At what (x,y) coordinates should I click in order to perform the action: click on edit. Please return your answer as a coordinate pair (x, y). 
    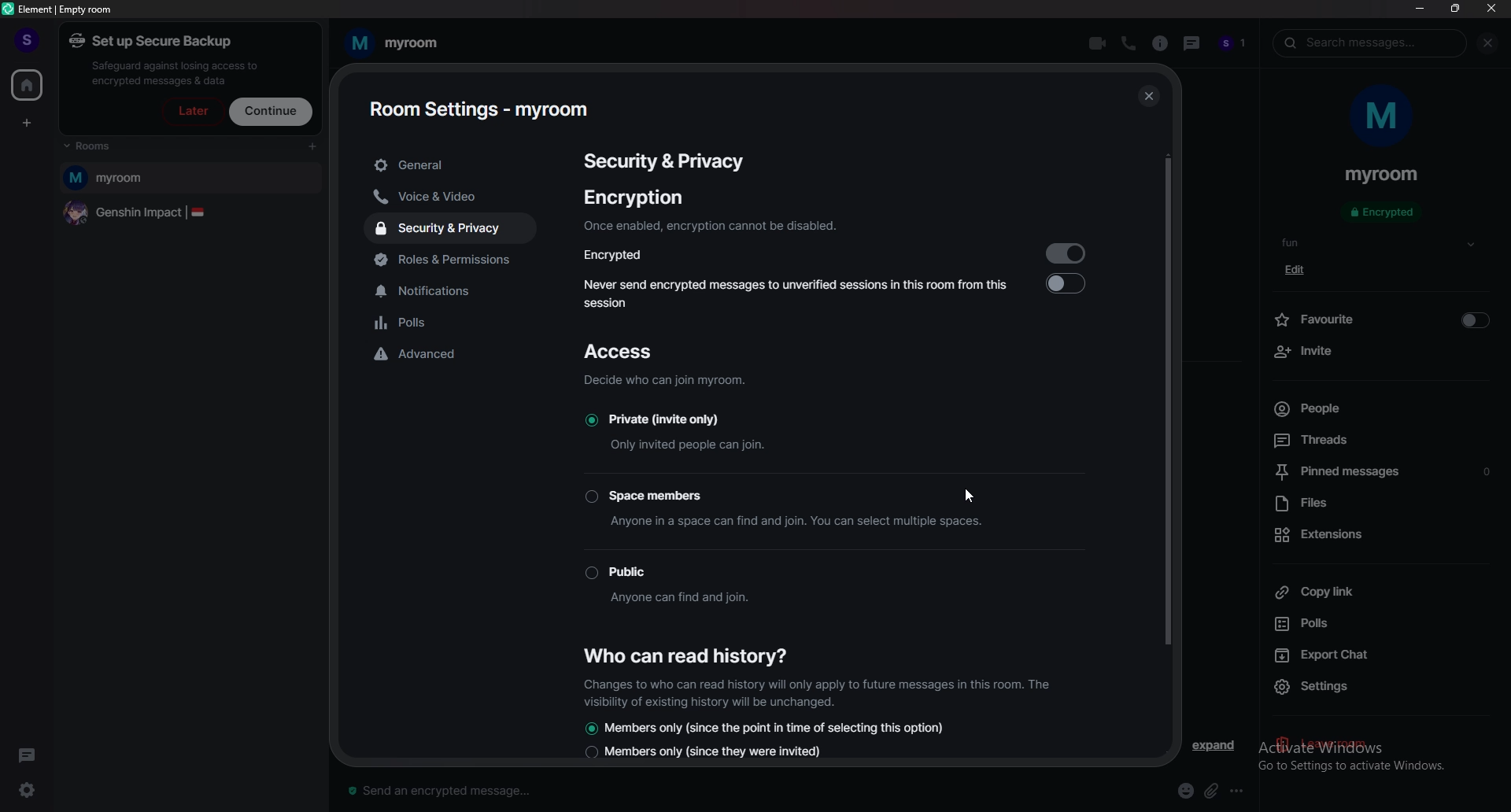
    Looking at the image, I should click on (1299, 269).